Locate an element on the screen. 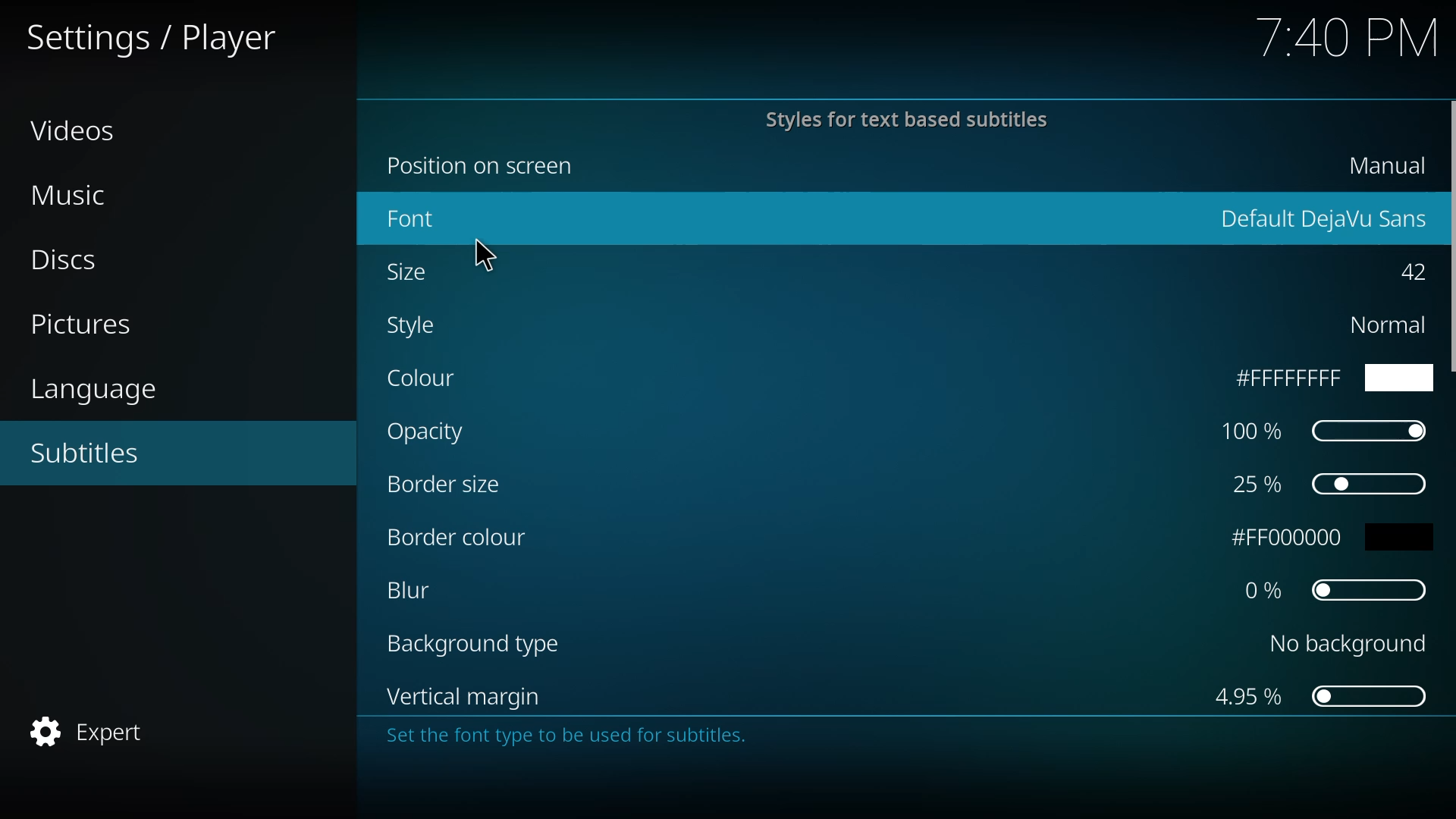 This screenshot has width=1456, height=819. info is located at coordinates (894, 740).